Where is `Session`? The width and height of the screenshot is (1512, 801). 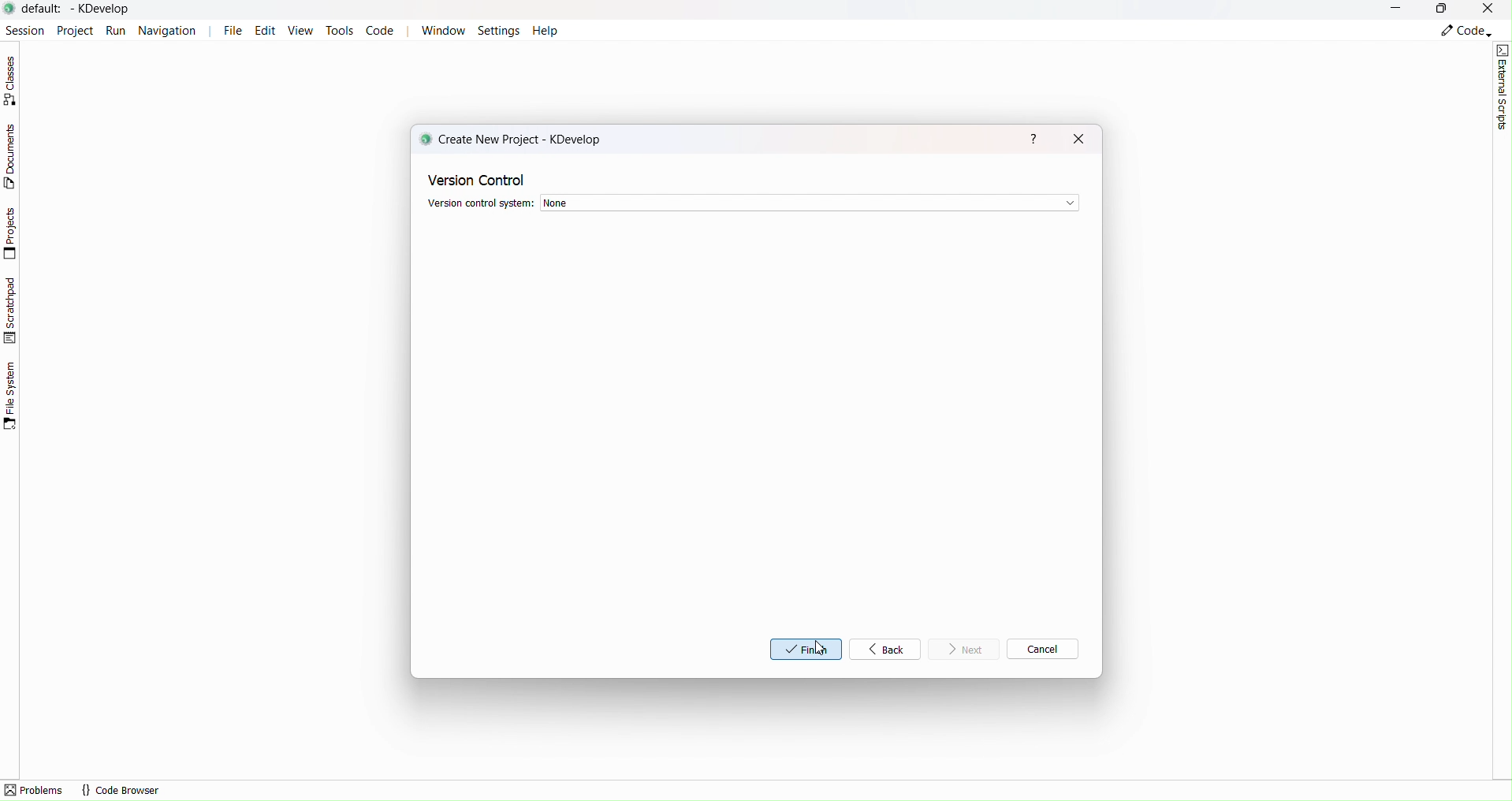 Session is located at coordinates (23, 28).